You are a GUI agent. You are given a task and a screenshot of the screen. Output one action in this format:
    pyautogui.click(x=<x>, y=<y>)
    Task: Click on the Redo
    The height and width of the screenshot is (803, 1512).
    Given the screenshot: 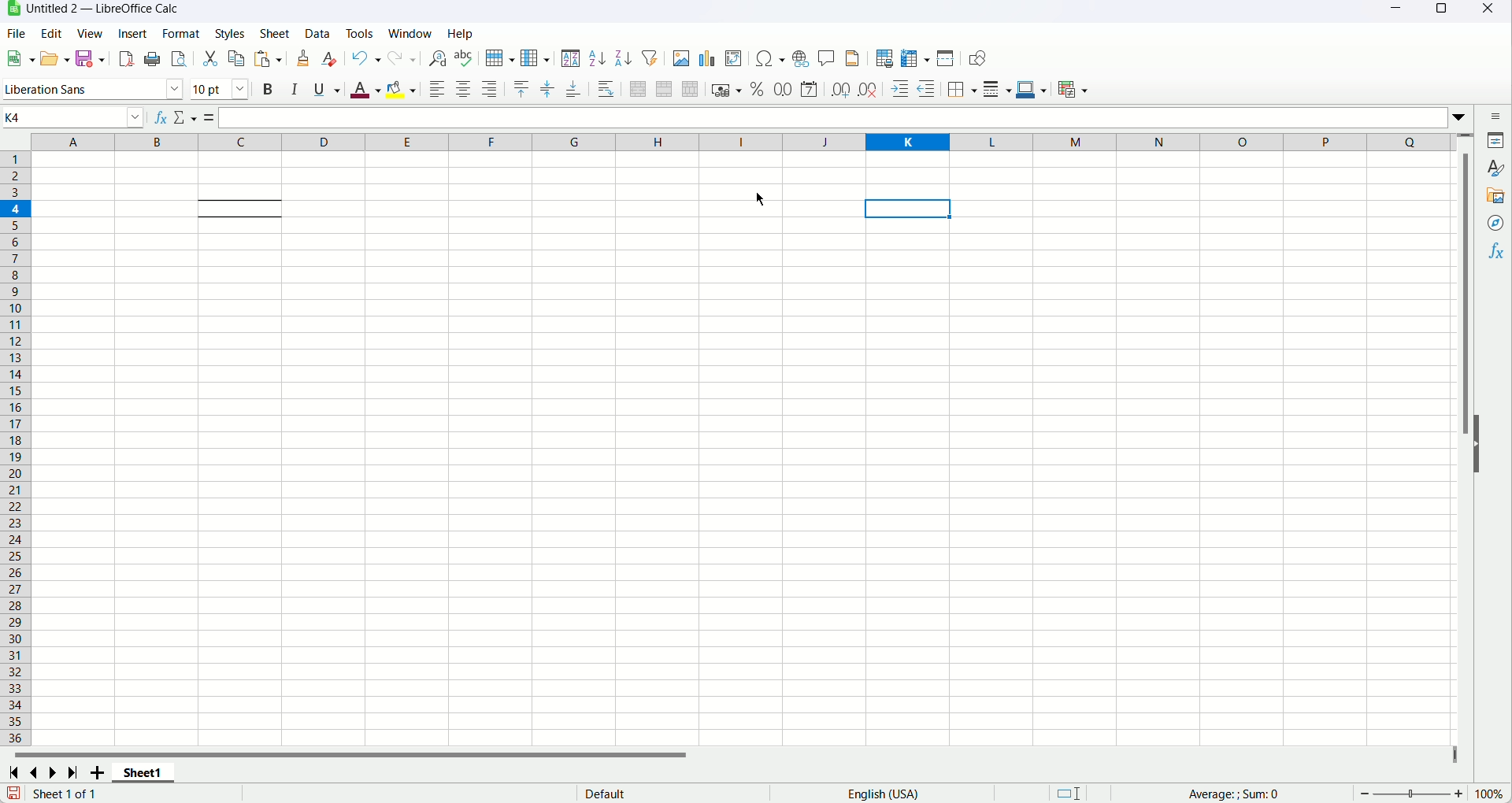 What is the action you would take?
    pyautogui.click(x=402, y=58)
    